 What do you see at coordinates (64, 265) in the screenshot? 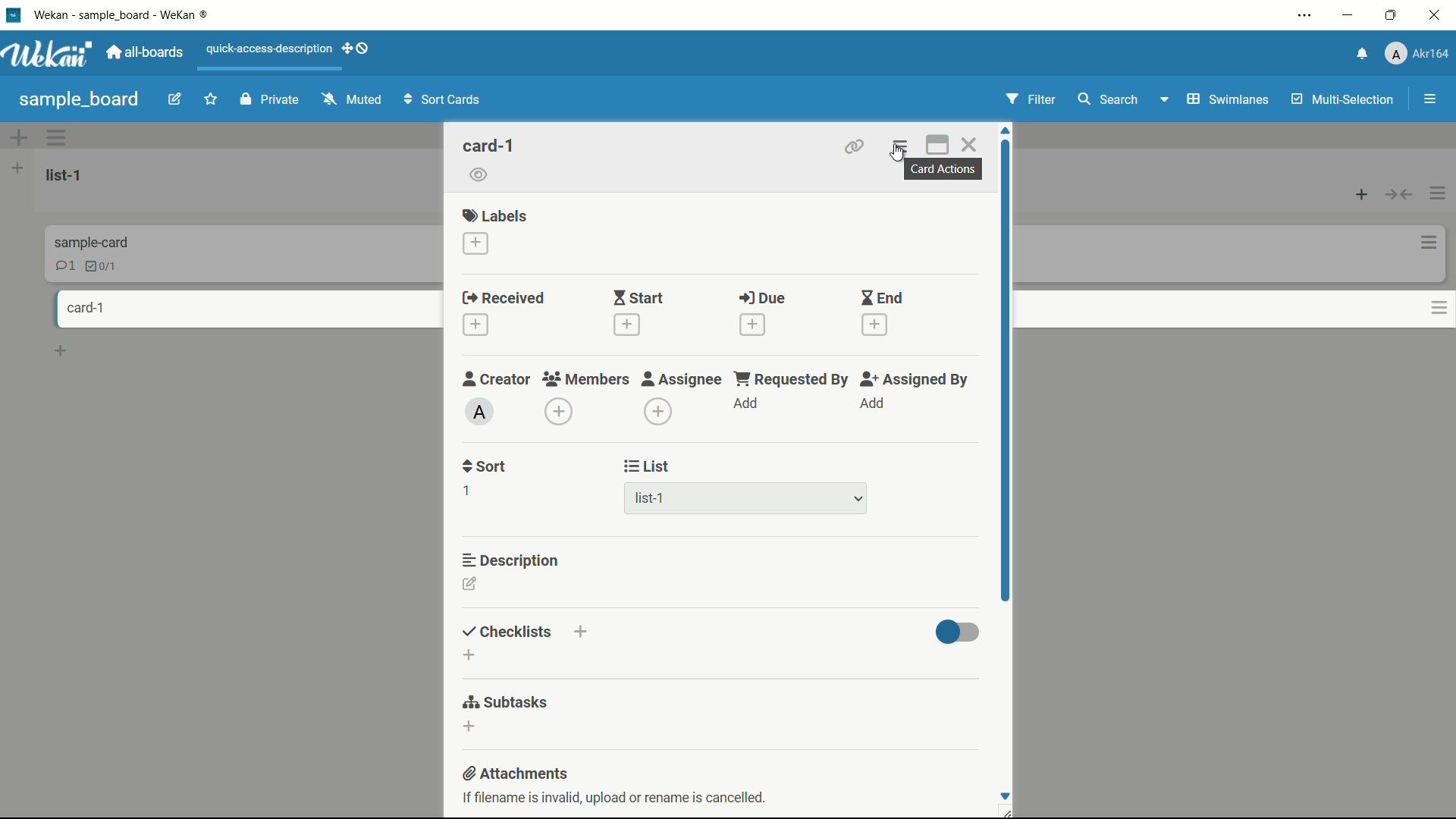
I see `comments` at bounding box center [64, 265].